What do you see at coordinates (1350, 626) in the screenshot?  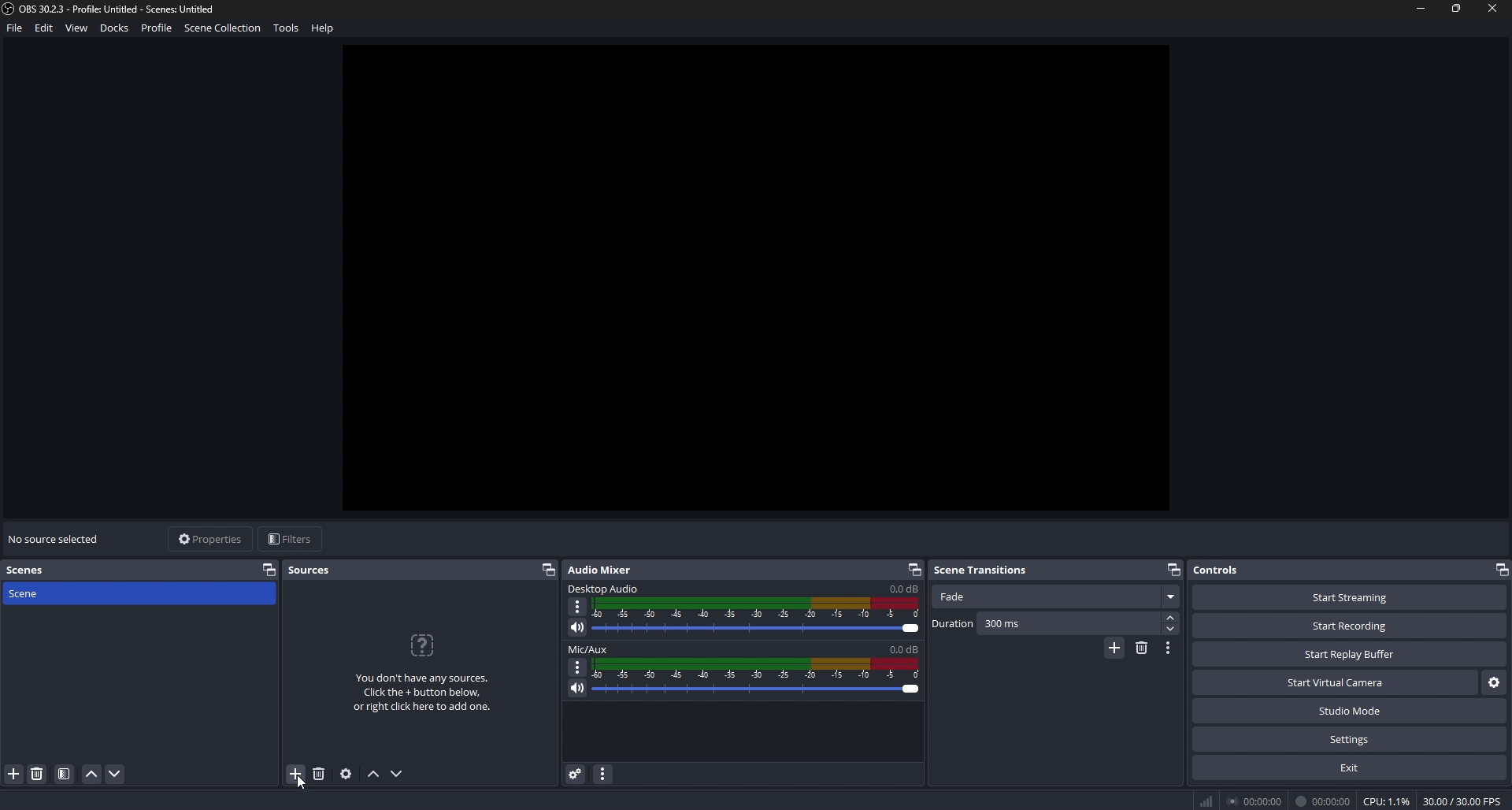 I see `start recording` at bounding box center [1350, 626].